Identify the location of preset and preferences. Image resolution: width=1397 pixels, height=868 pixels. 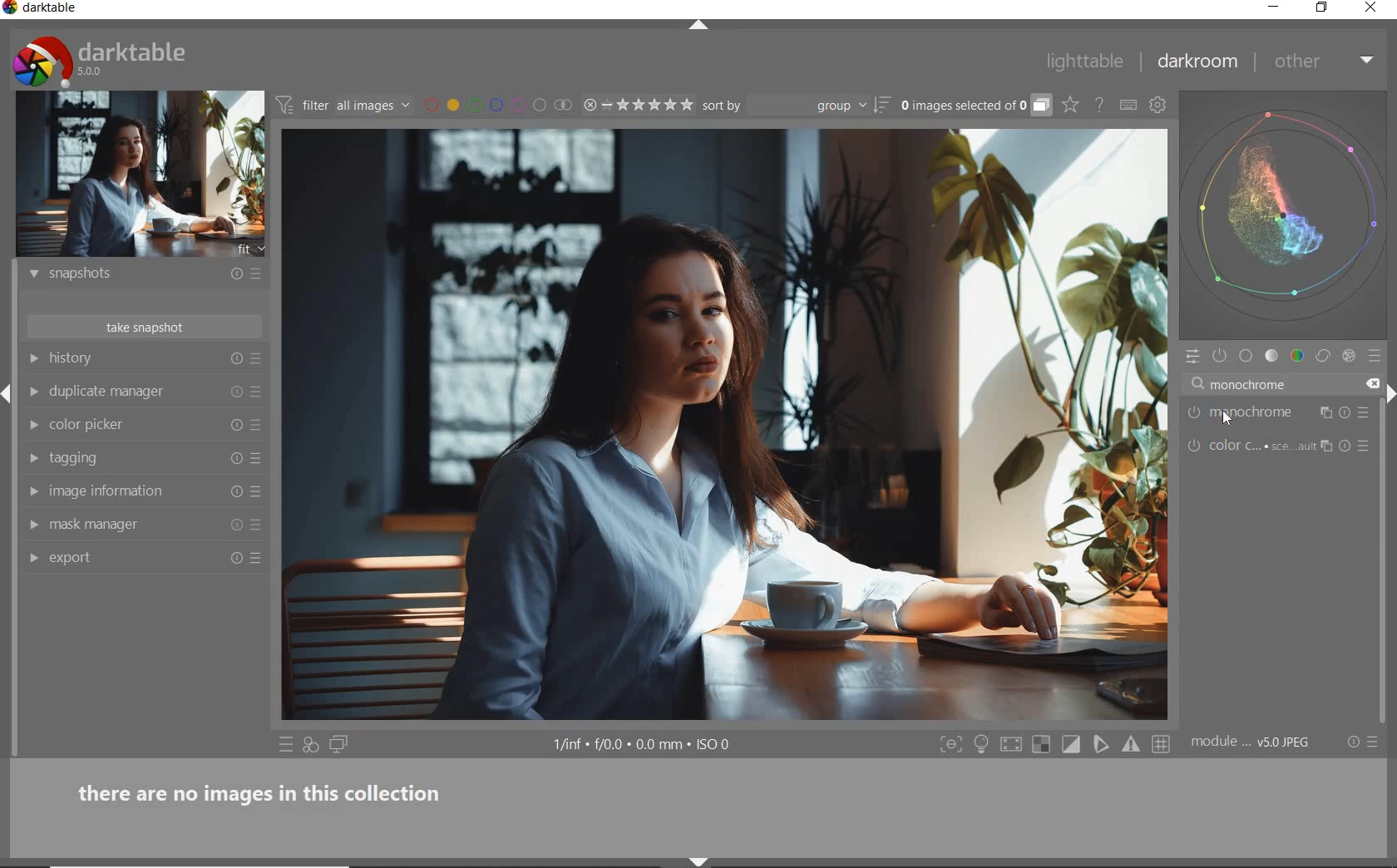
(1365, 446).